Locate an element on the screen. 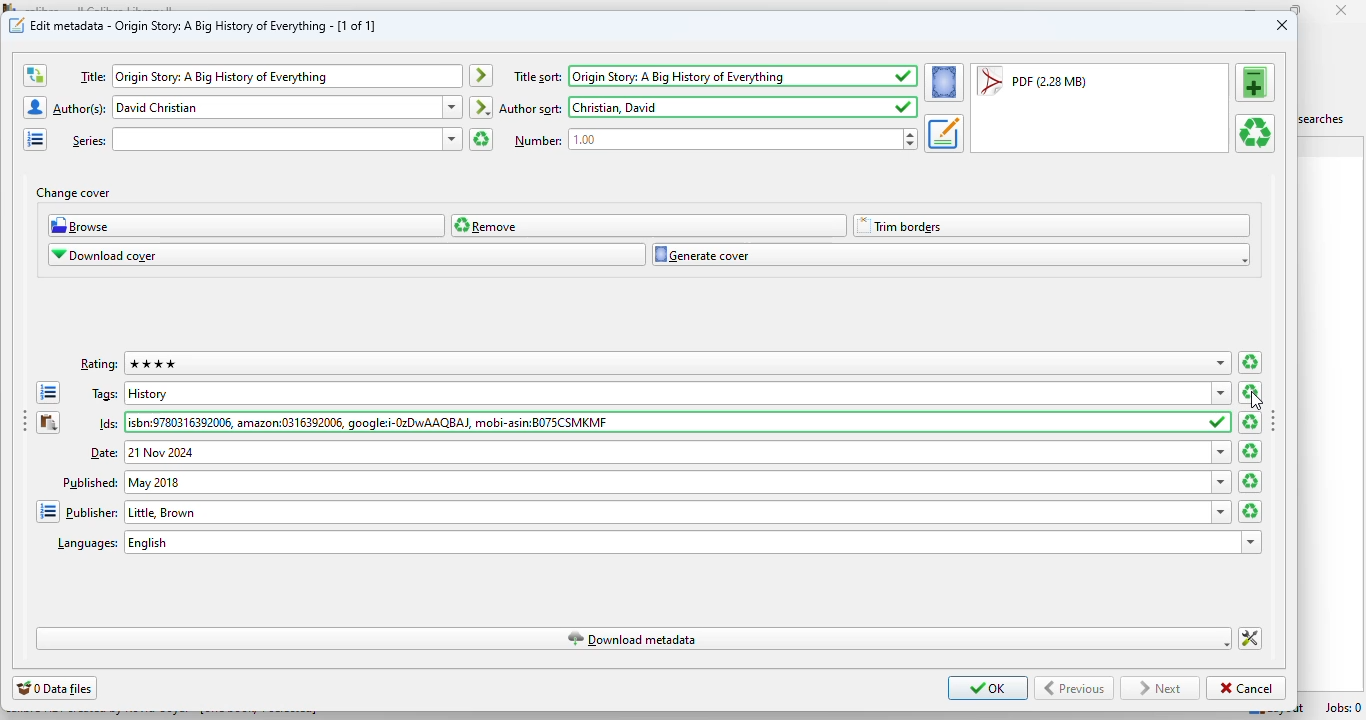  languages: english is located at coordinates (681, 542).